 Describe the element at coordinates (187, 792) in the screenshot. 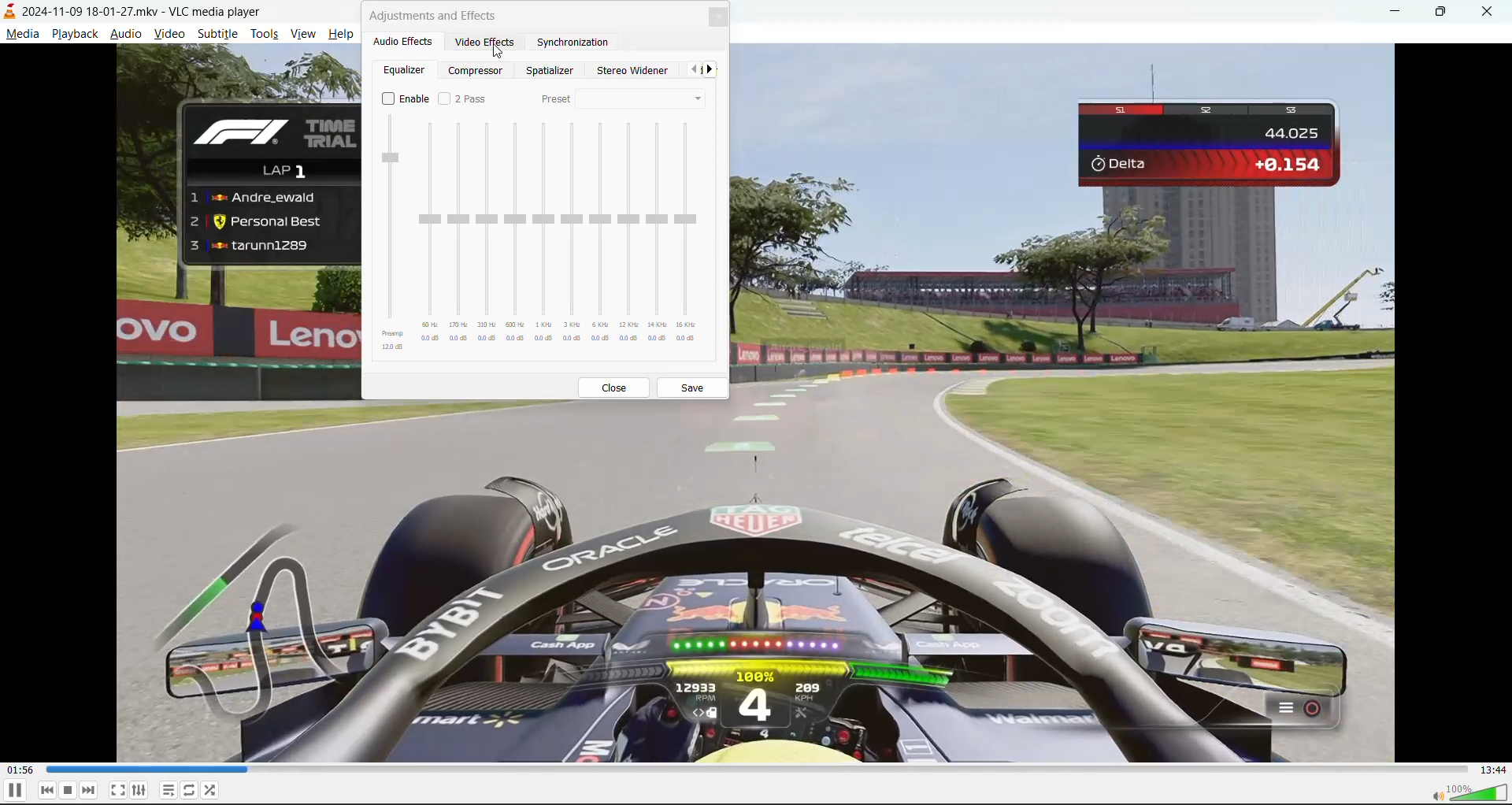

I see `loop` at that location.